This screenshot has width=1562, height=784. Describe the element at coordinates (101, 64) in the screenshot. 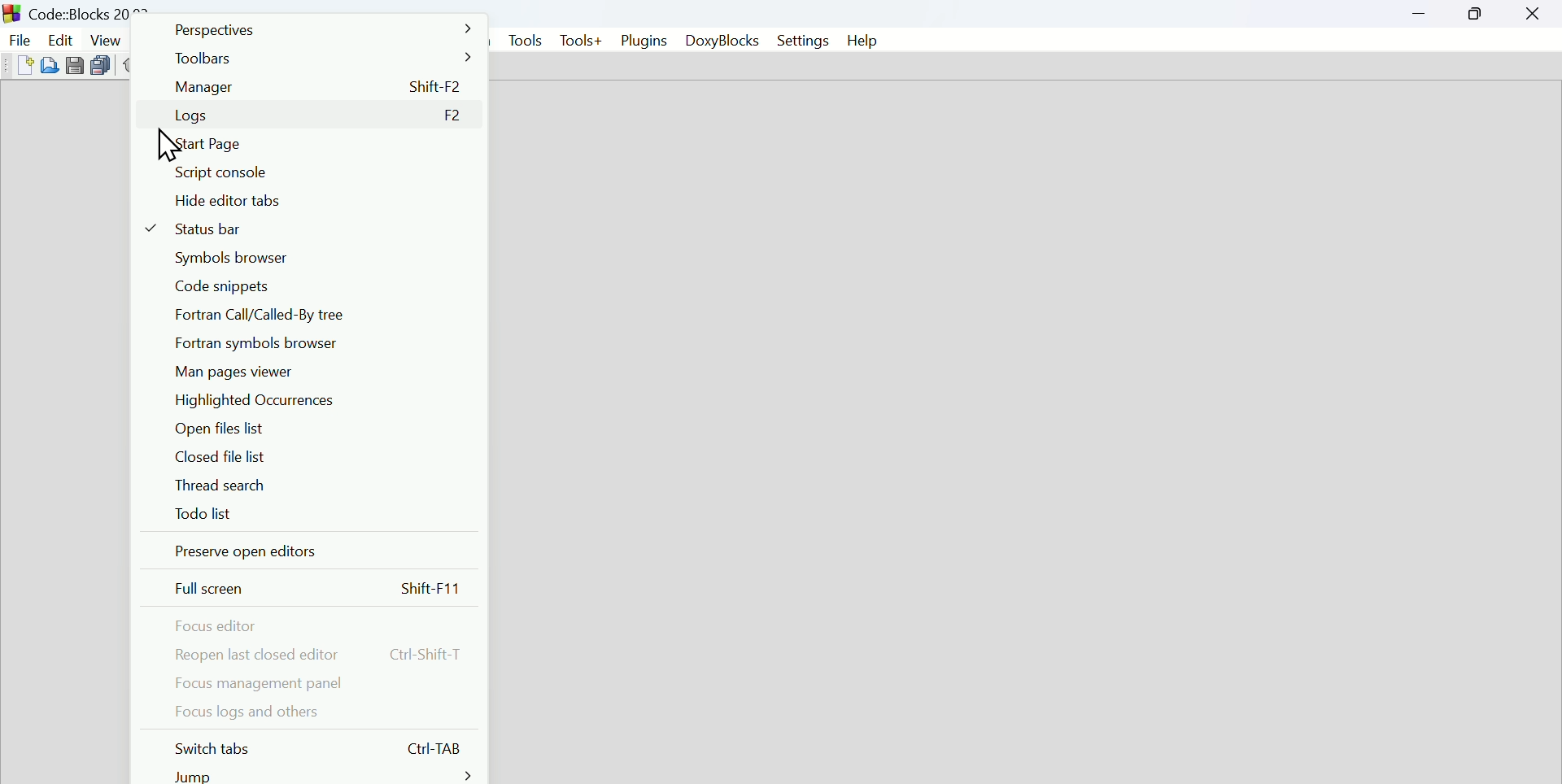

I see `Duplicate file` at that location.